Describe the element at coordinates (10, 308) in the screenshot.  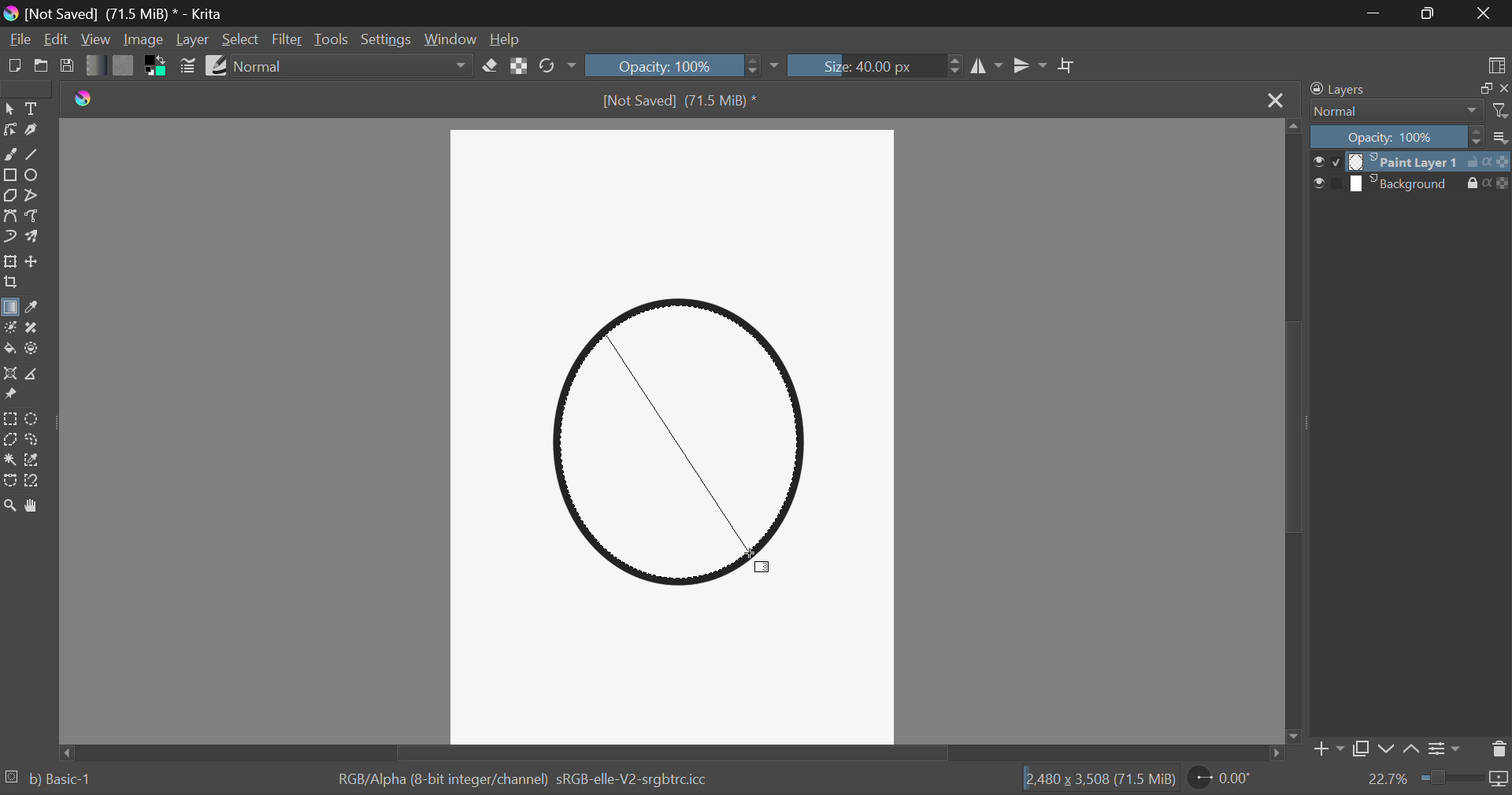
I see `Gradient Fill` at that location.